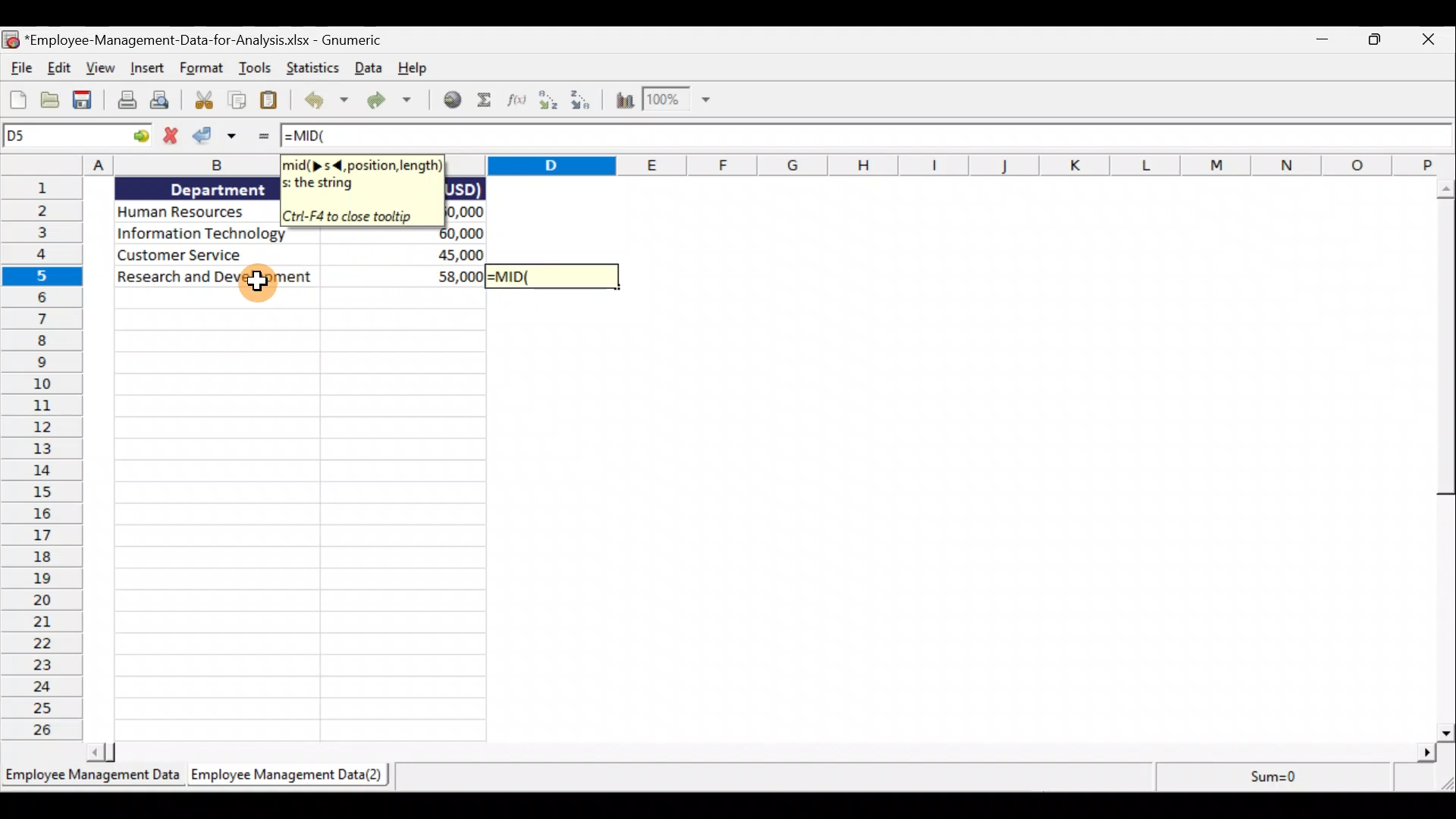 The image size is (1456, 819). Describe the element at coordinates (234, 100) in the screenshot. I see `Copy selection` at that location.